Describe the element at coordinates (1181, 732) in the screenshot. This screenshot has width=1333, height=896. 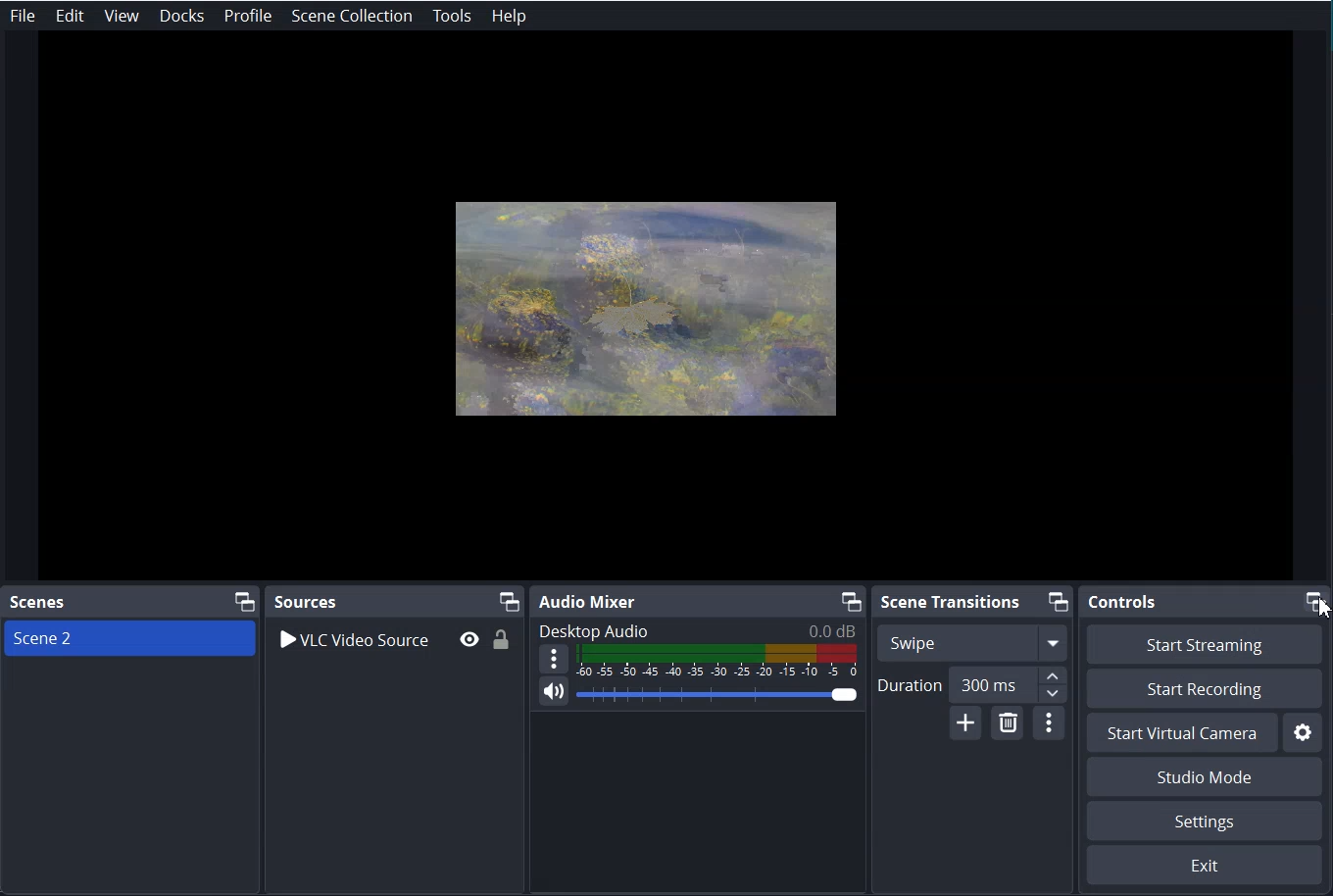
I see `Start Virtual Camera` at that location.